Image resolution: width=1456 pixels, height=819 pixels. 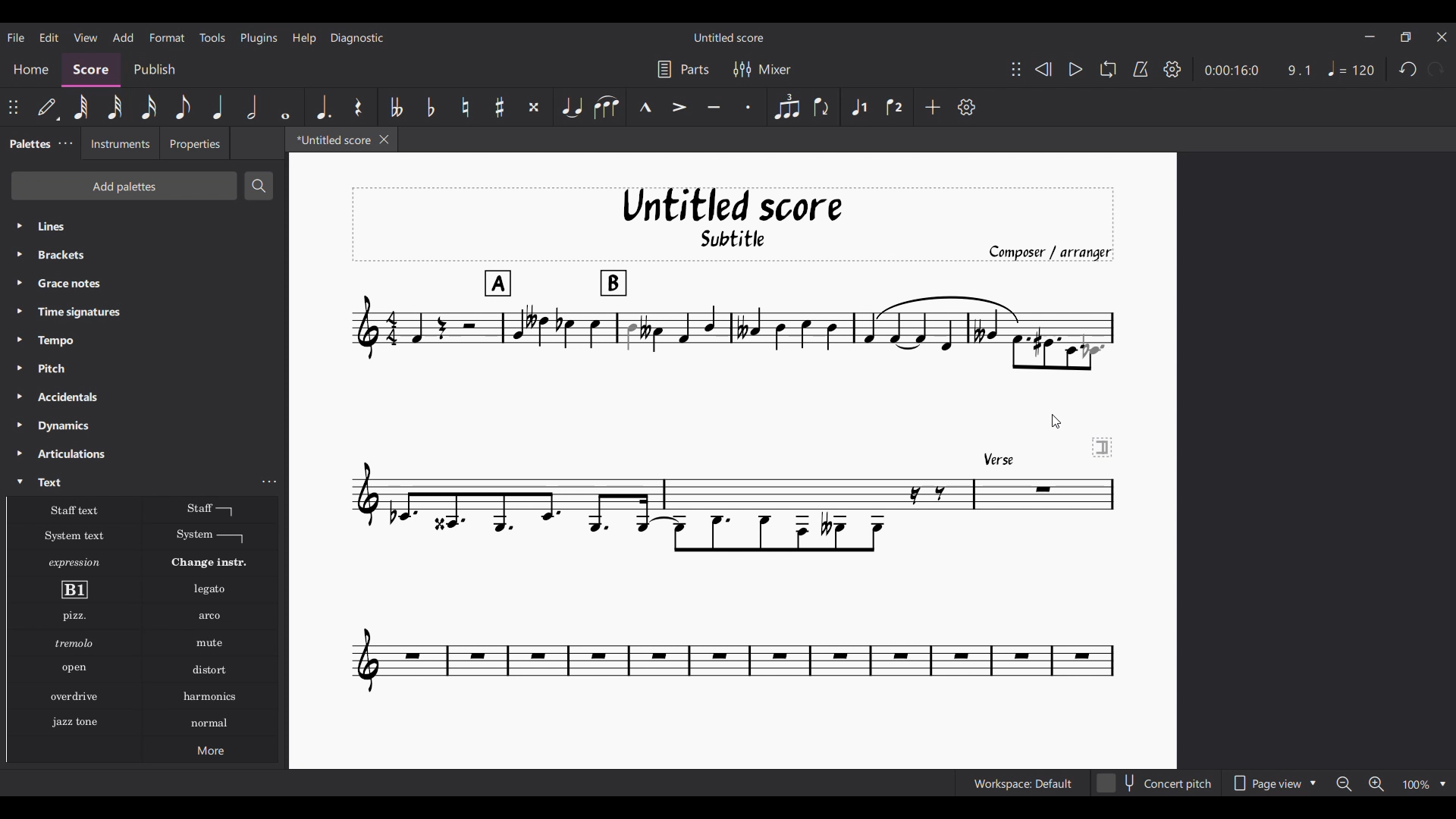 What do you see at coordinates (149, 107) in the screenshot?
I see `16th note` at bounding box center [149, 107].